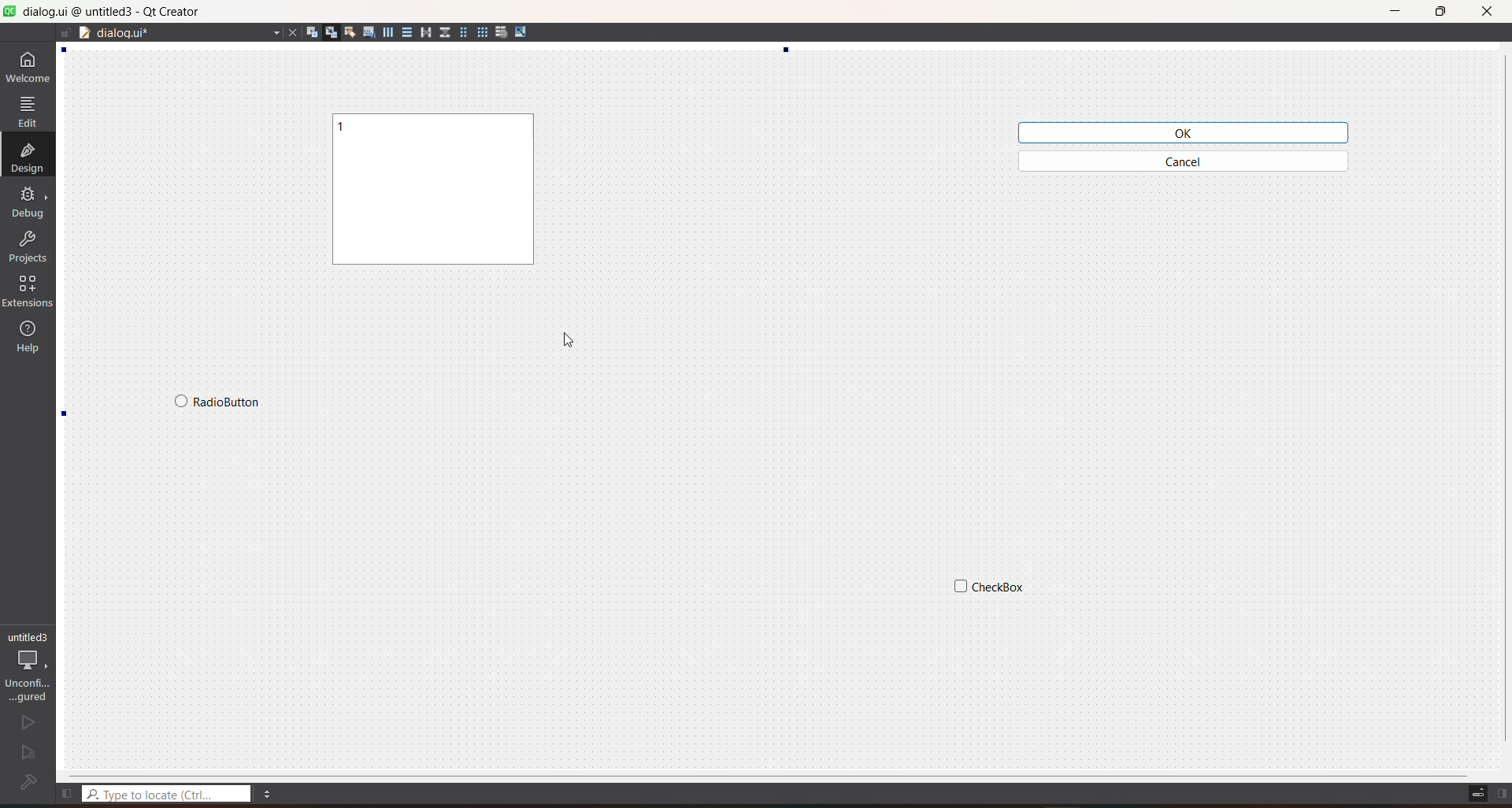  What do you see at coordinates (187, 33) in the screenshot?
I see `current file name` at bounding box center [187, 33].